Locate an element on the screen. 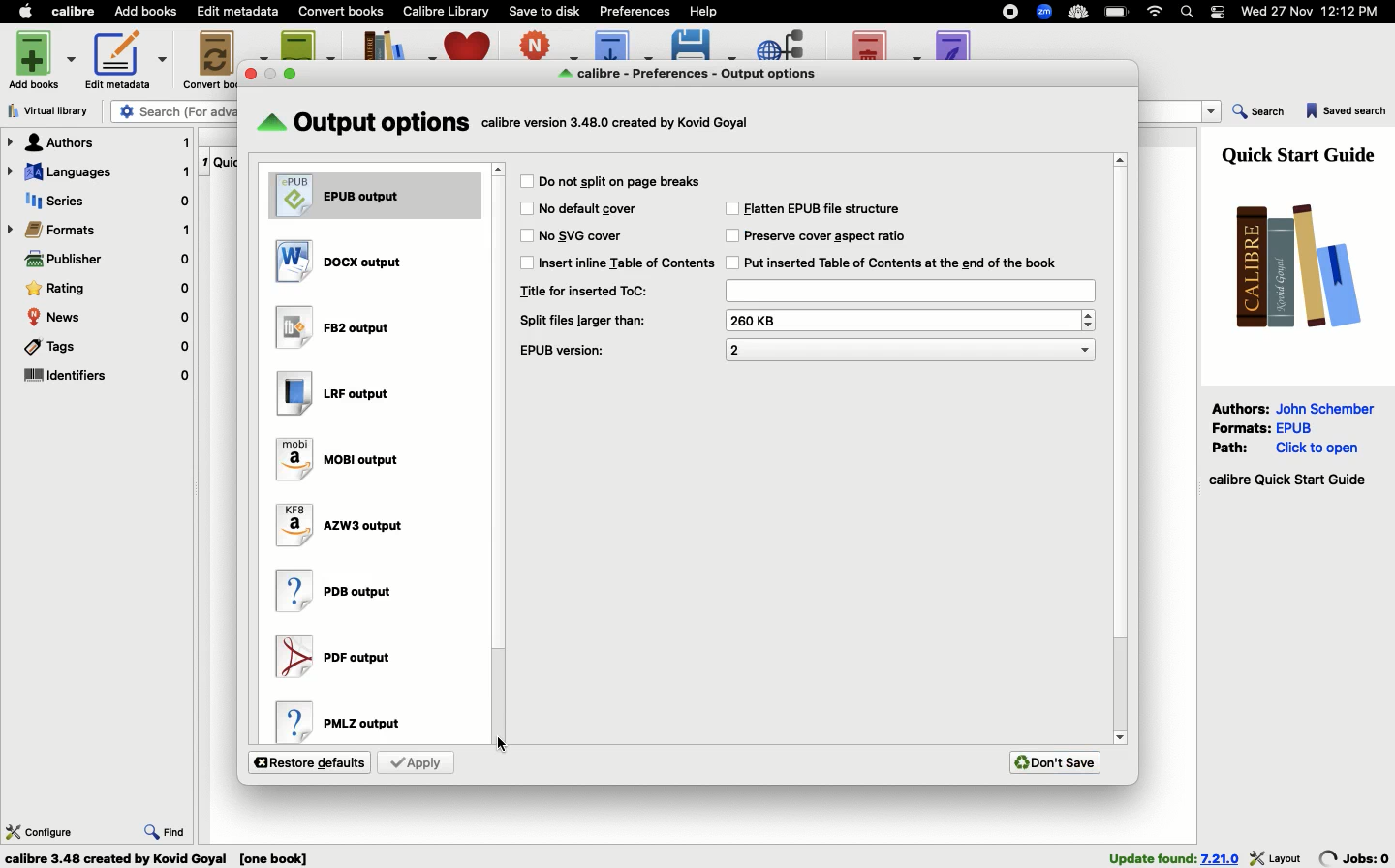  Search bar is located at coordinates (1189, 13).